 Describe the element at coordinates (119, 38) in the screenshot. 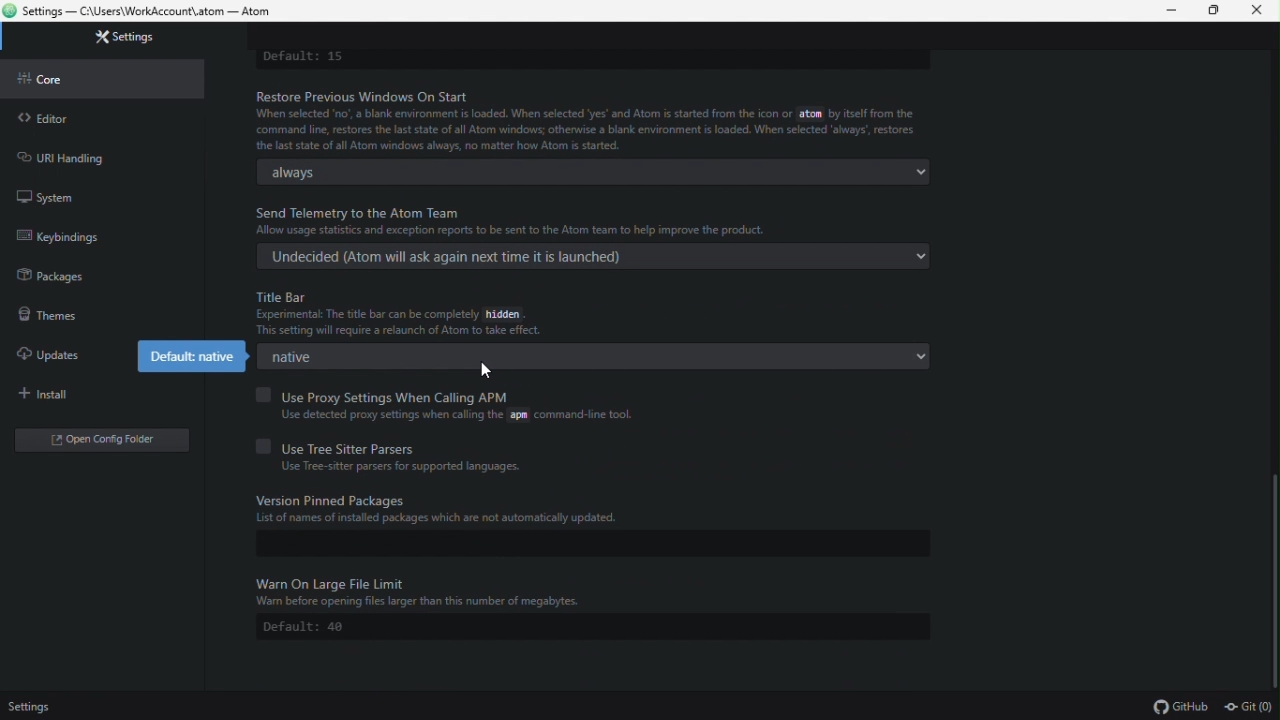

I see `settings` at that location.